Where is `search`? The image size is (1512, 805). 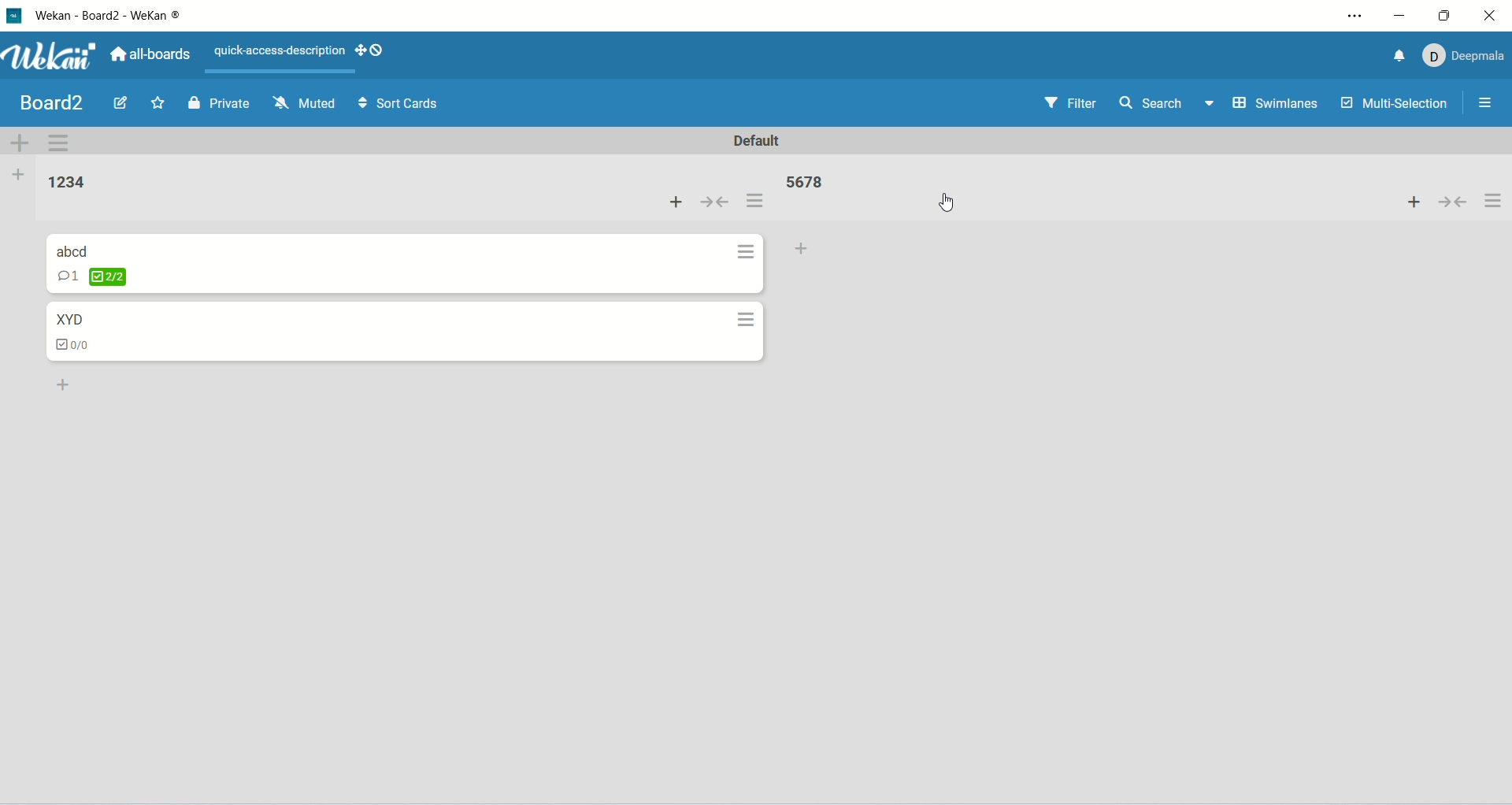
search is located at coordinates (1169, 105).